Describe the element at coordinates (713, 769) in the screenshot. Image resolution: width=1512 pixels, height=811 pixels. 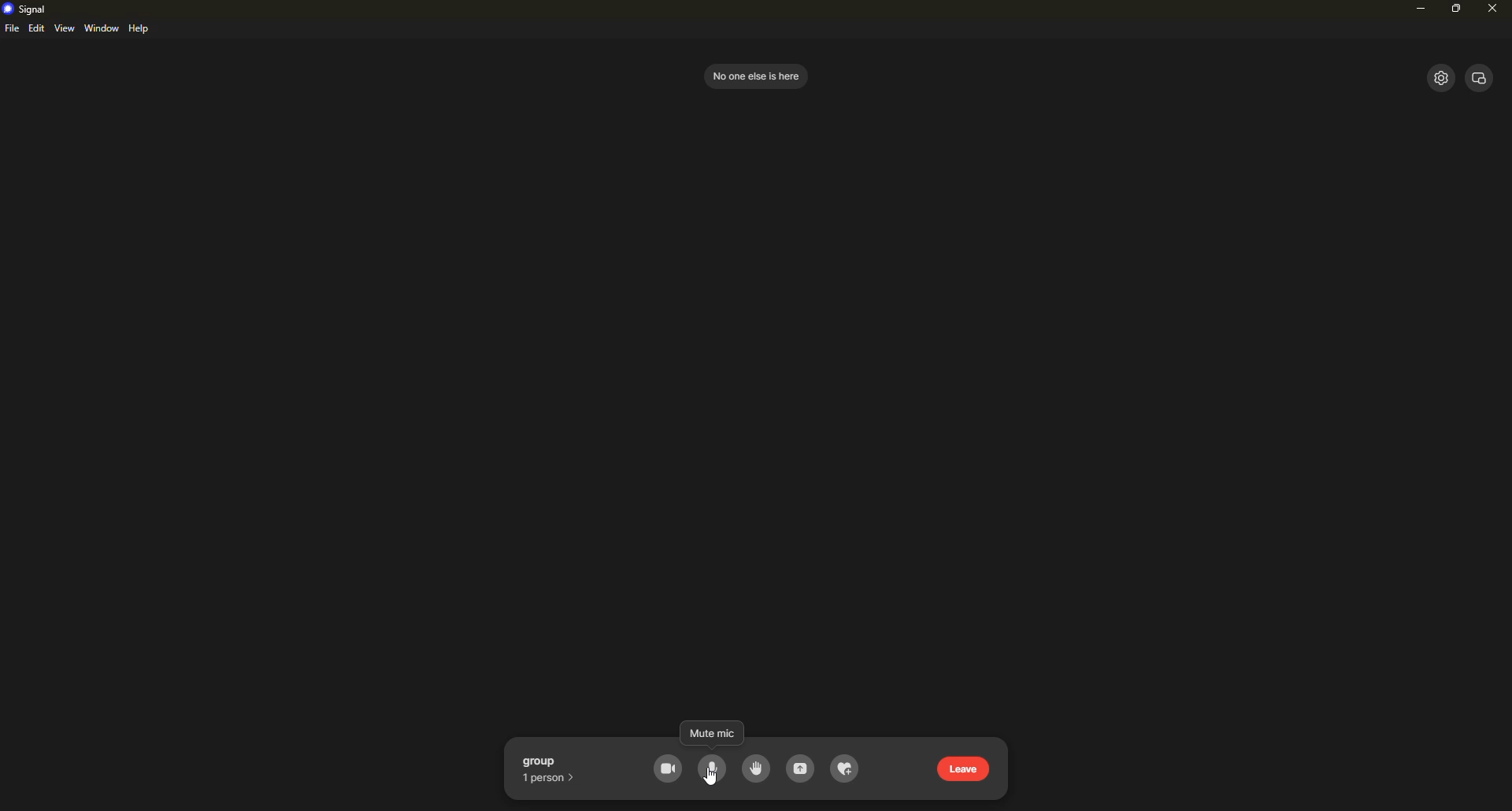
I see `mute mic` at that location.